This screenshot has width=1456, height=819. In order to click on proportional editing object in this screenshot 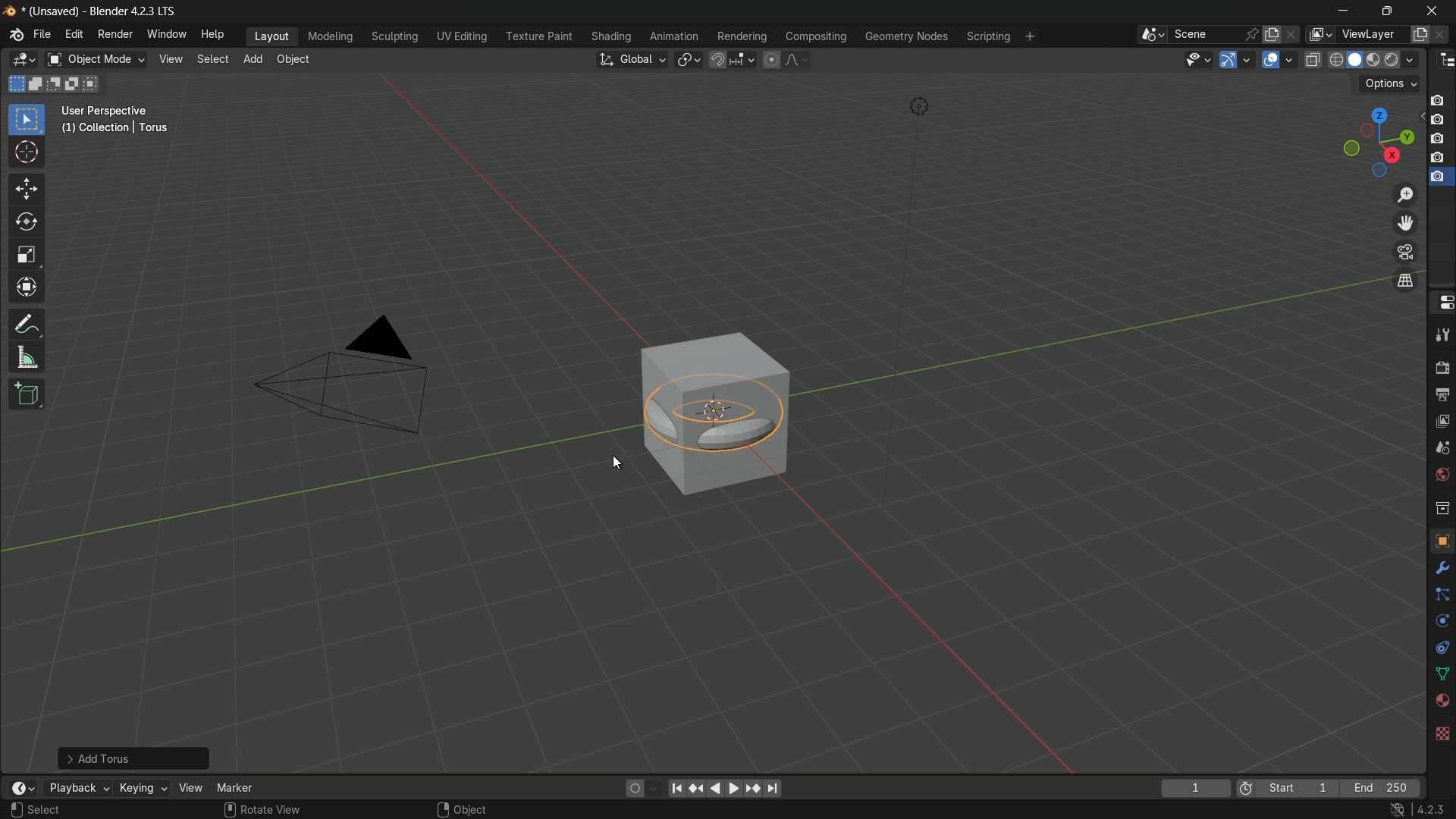, I will do `click(770, 59)`.